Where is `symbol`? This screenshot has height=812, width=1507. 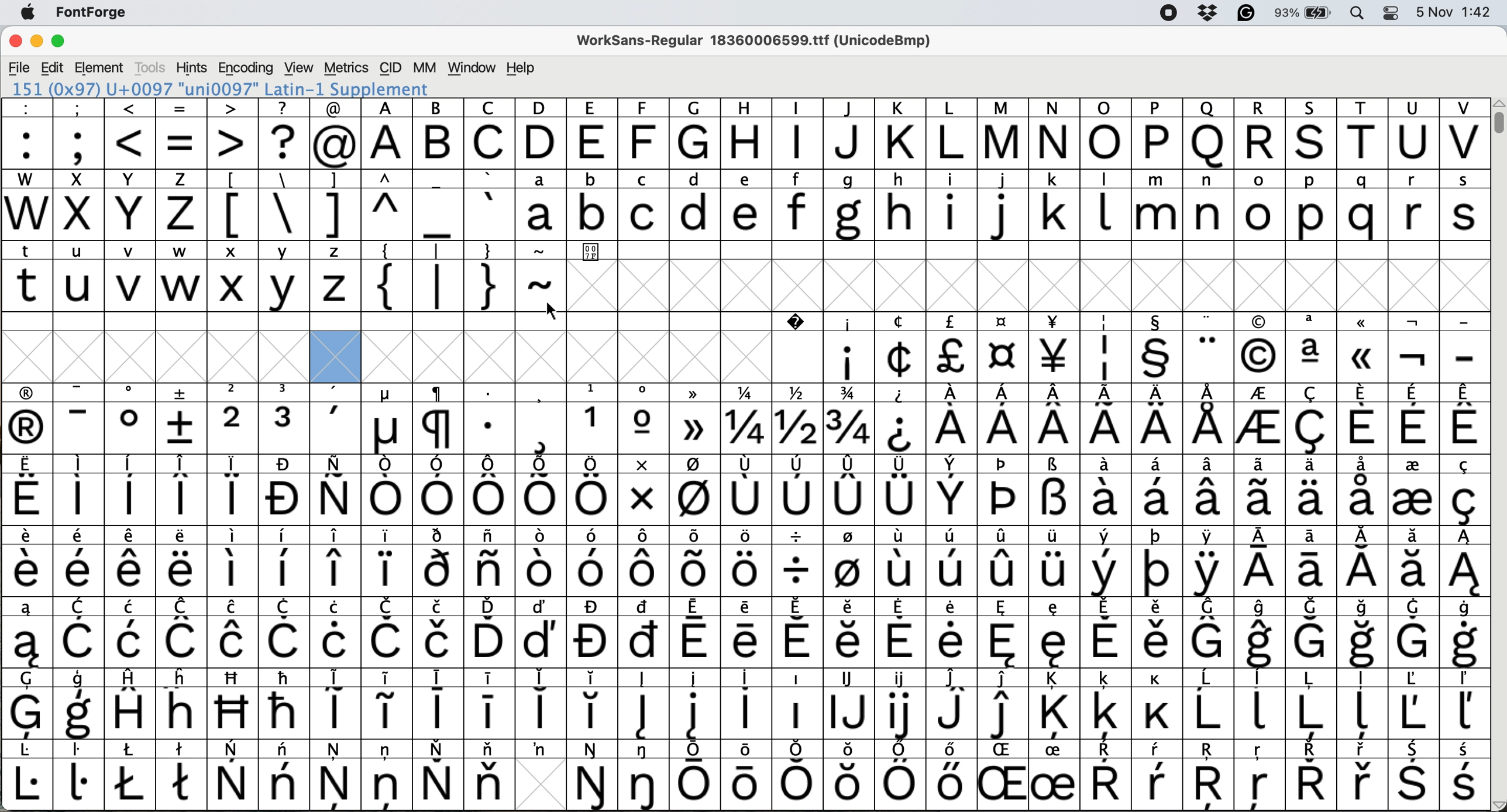
symbol is located at coordinates (1209, 632).